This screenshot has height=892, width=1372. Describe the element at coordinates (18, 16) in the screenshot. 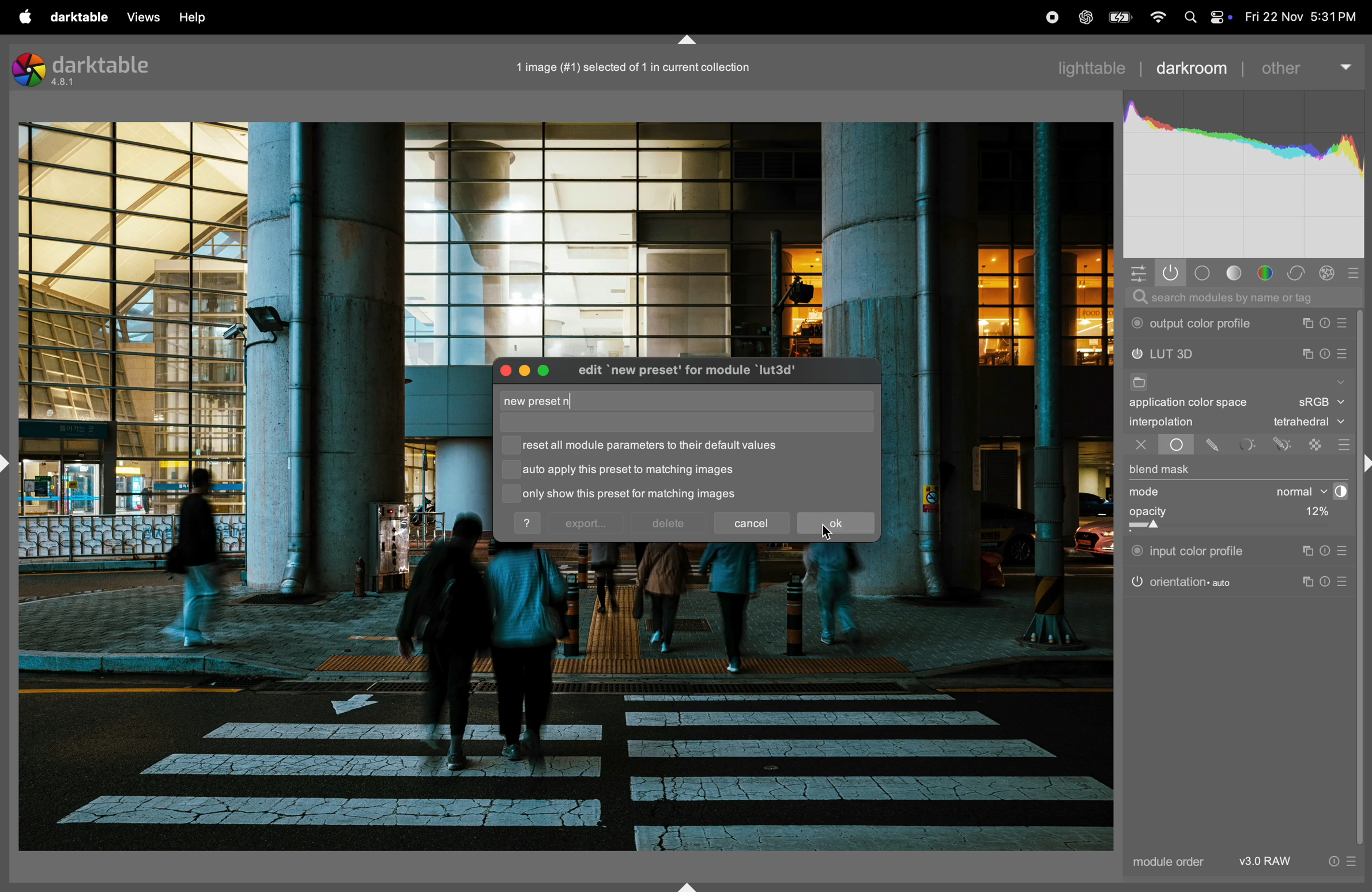

I see `apple menu` at that location.